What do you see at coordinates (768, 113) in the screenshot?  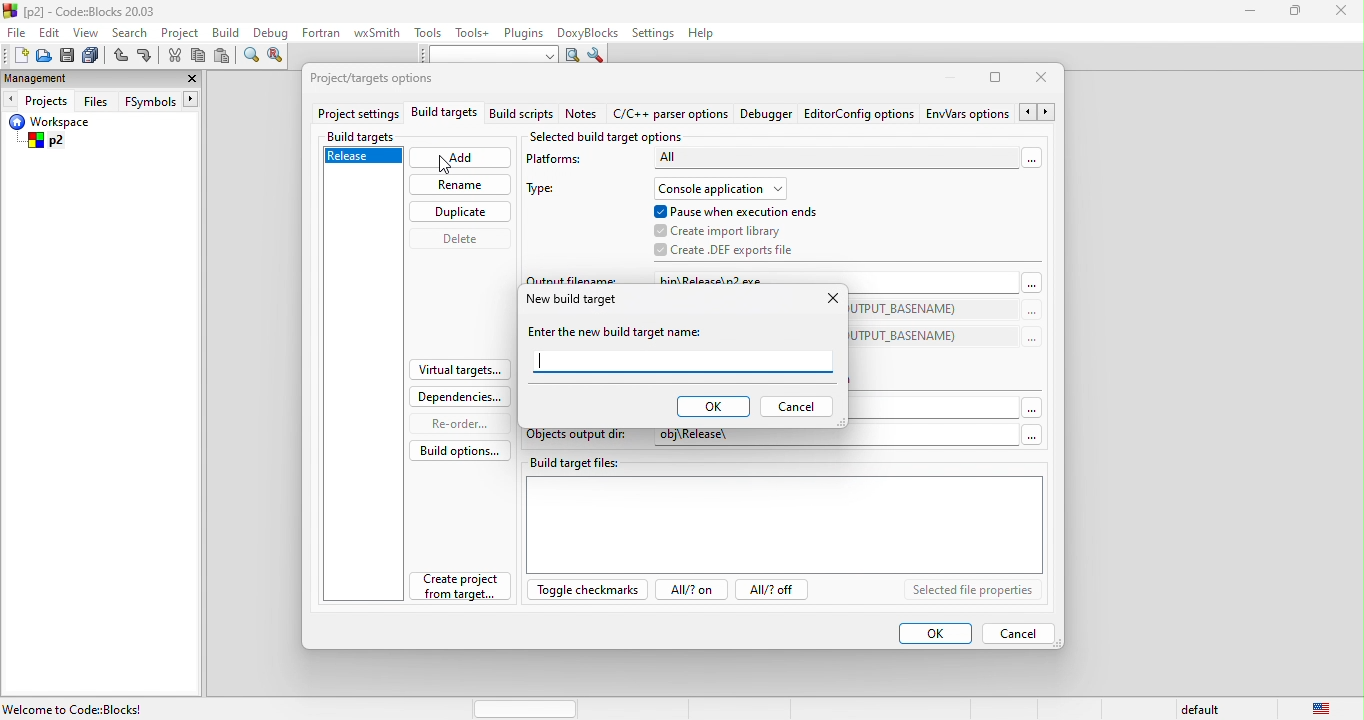 I see `debugger` at bounding box center [768, 113].